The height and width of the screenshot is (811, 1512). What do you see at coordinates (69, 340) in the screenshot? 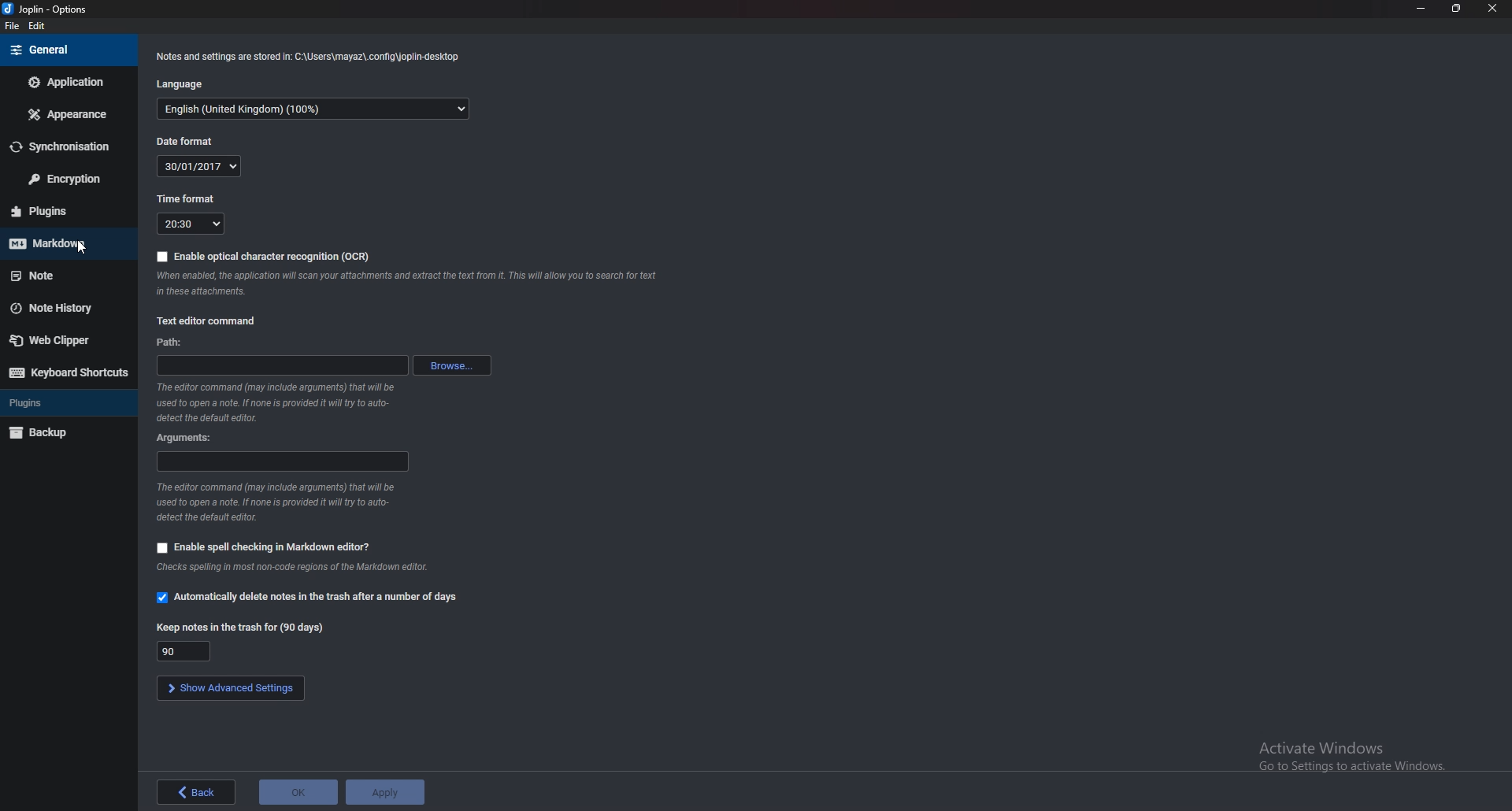
I see `web clipper` at bounding box center [69, 340].